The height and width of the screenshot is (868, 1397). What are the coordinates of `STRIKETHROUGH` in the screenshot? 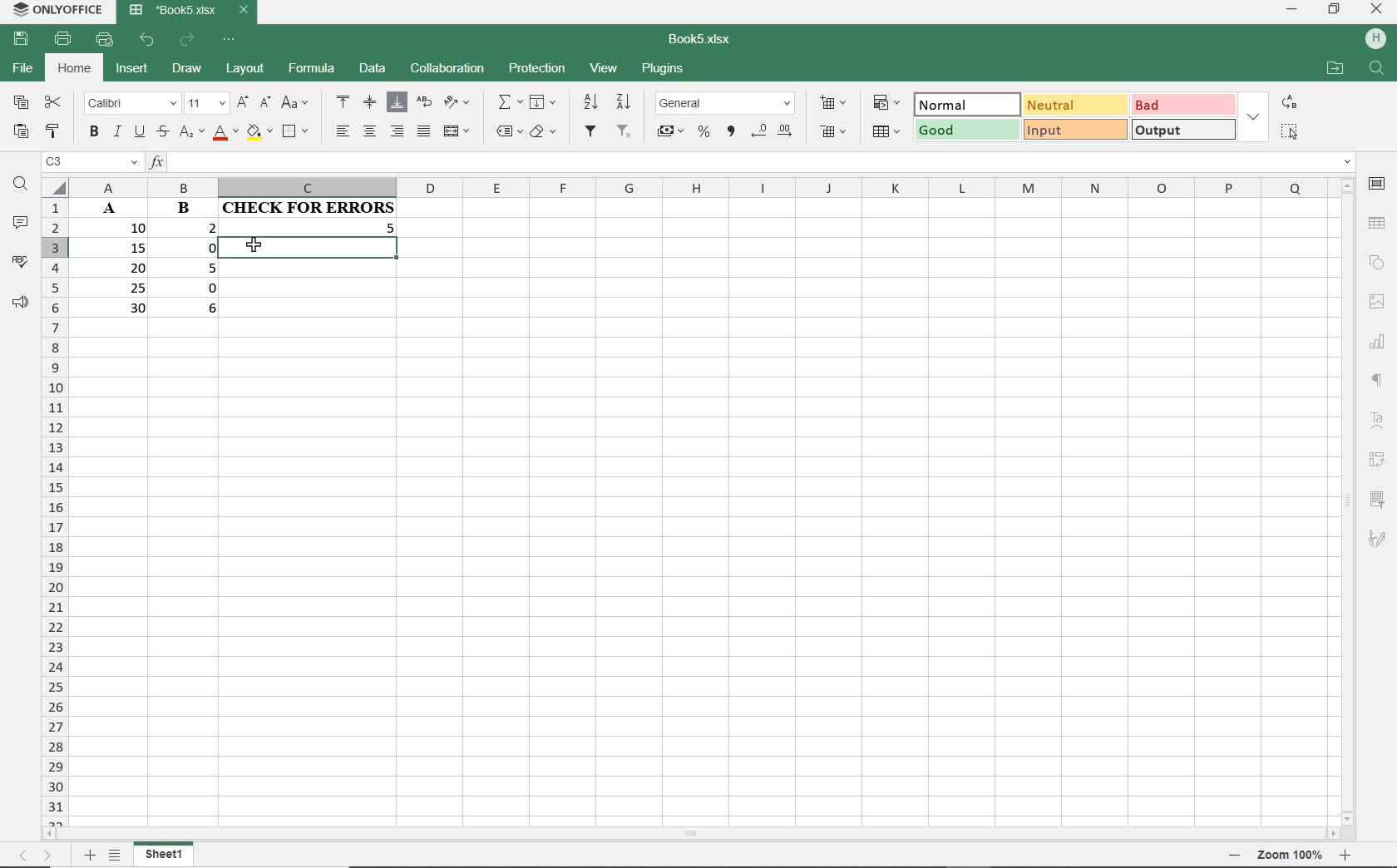 It's located at (161, 133).